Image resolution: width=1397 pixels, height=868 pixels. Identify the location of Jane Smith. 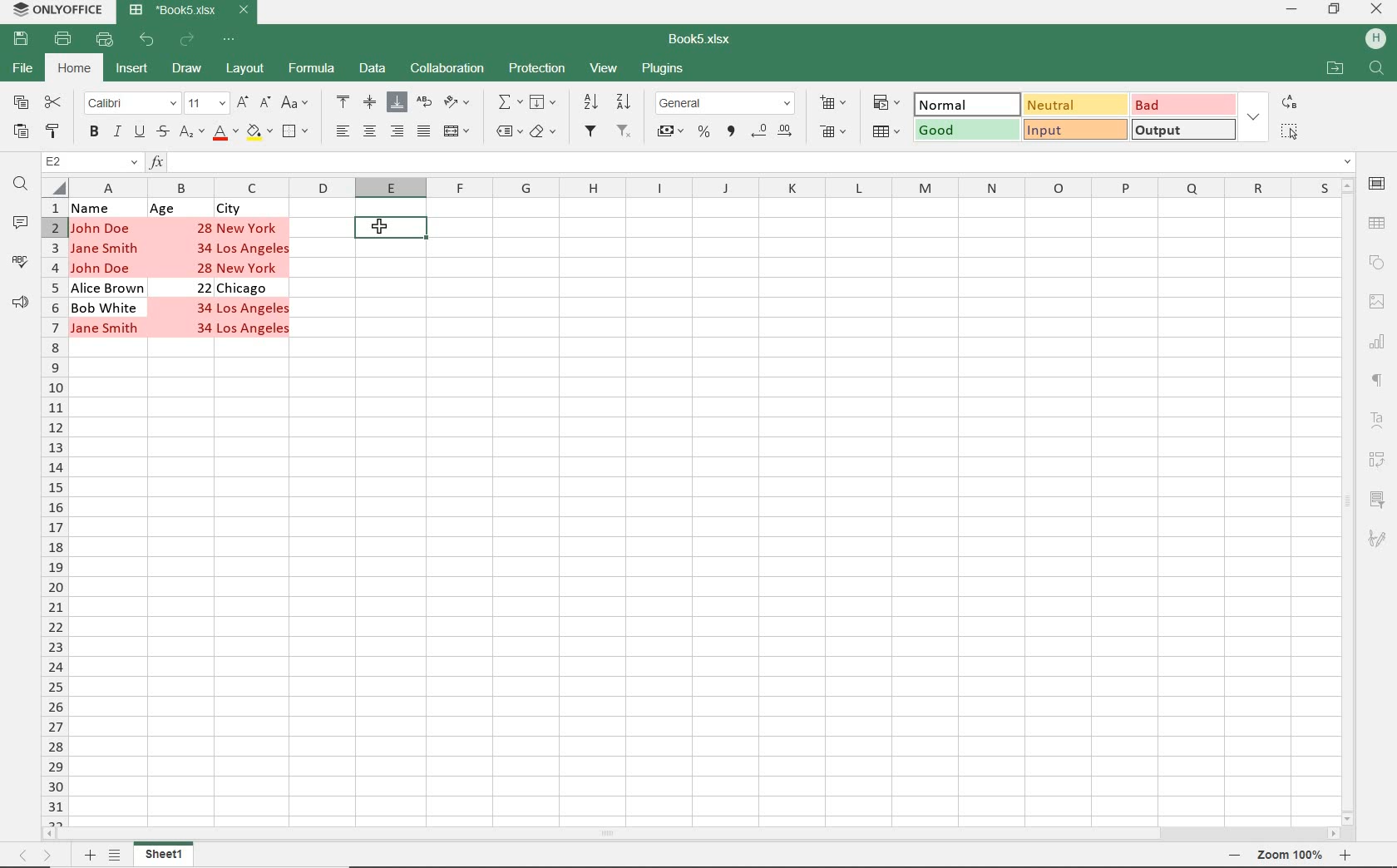
(107, 247).